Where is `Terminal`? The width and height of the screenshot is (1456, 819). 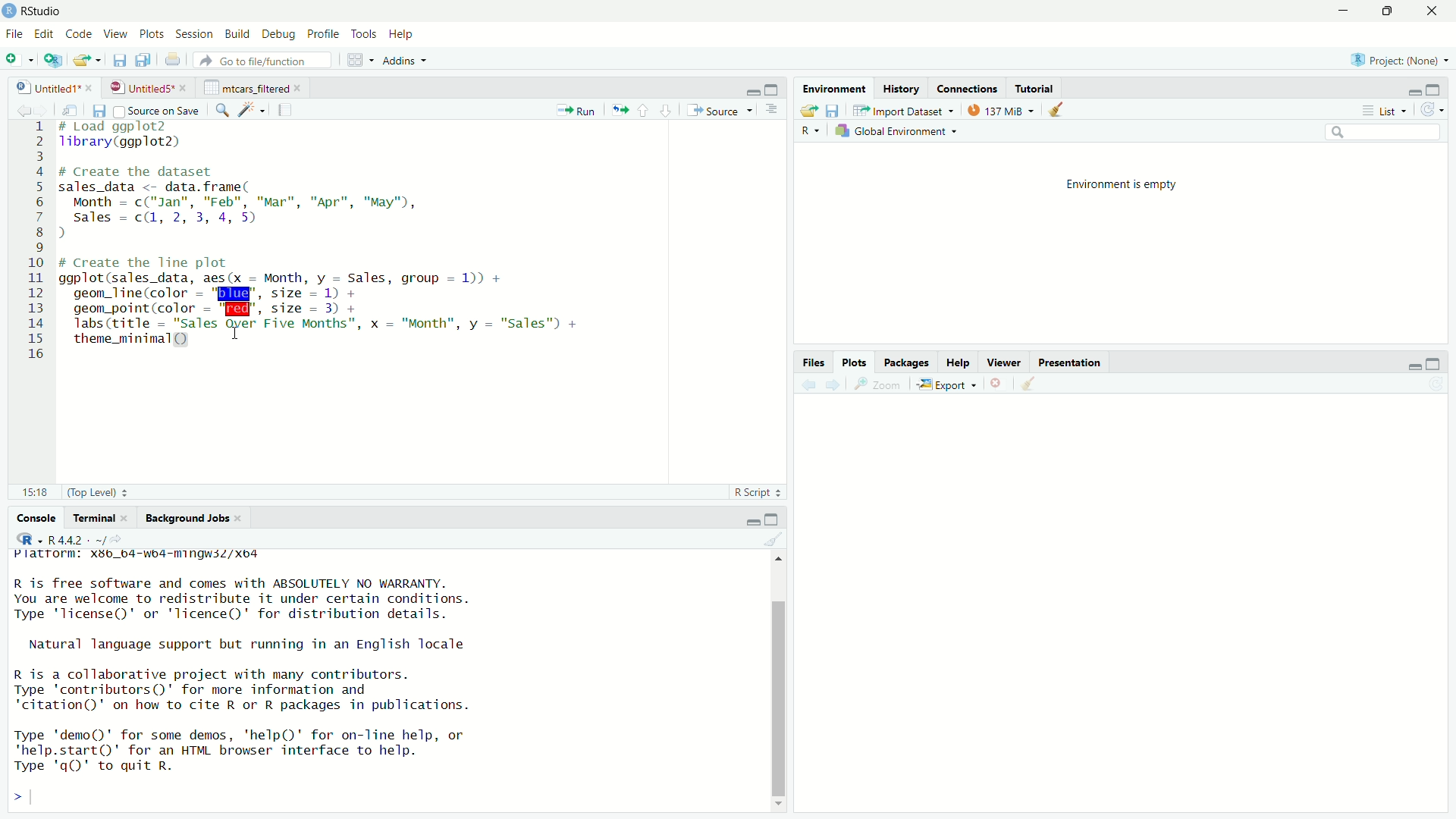
Terminal is located at coordinates (95, 517).